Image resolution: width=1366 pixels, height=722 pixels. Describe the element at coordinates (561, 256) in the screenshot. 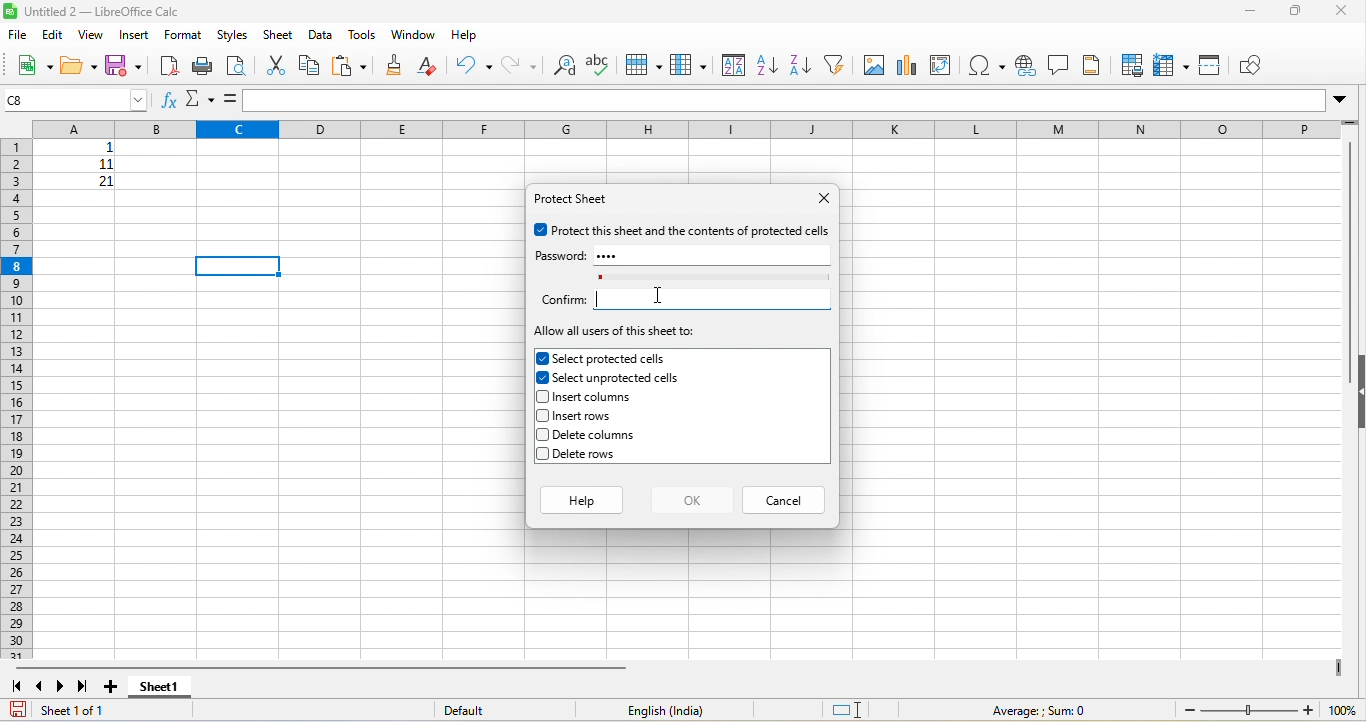

I see `password` at that location.